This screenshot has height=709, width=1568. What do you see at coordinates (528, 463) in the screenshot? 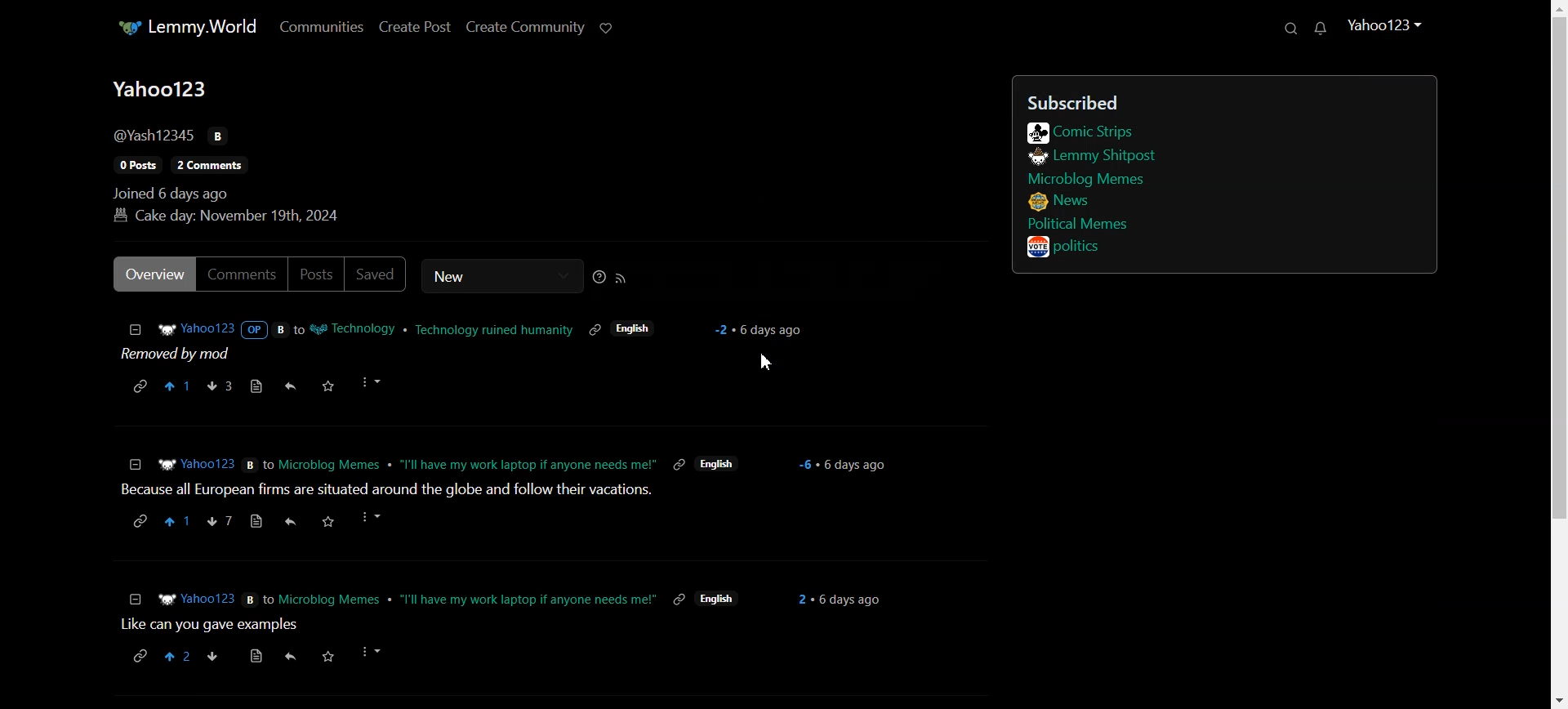
I see `"I'll have my work laptop if anyone needs me!"` at bounding box center [528, 463].